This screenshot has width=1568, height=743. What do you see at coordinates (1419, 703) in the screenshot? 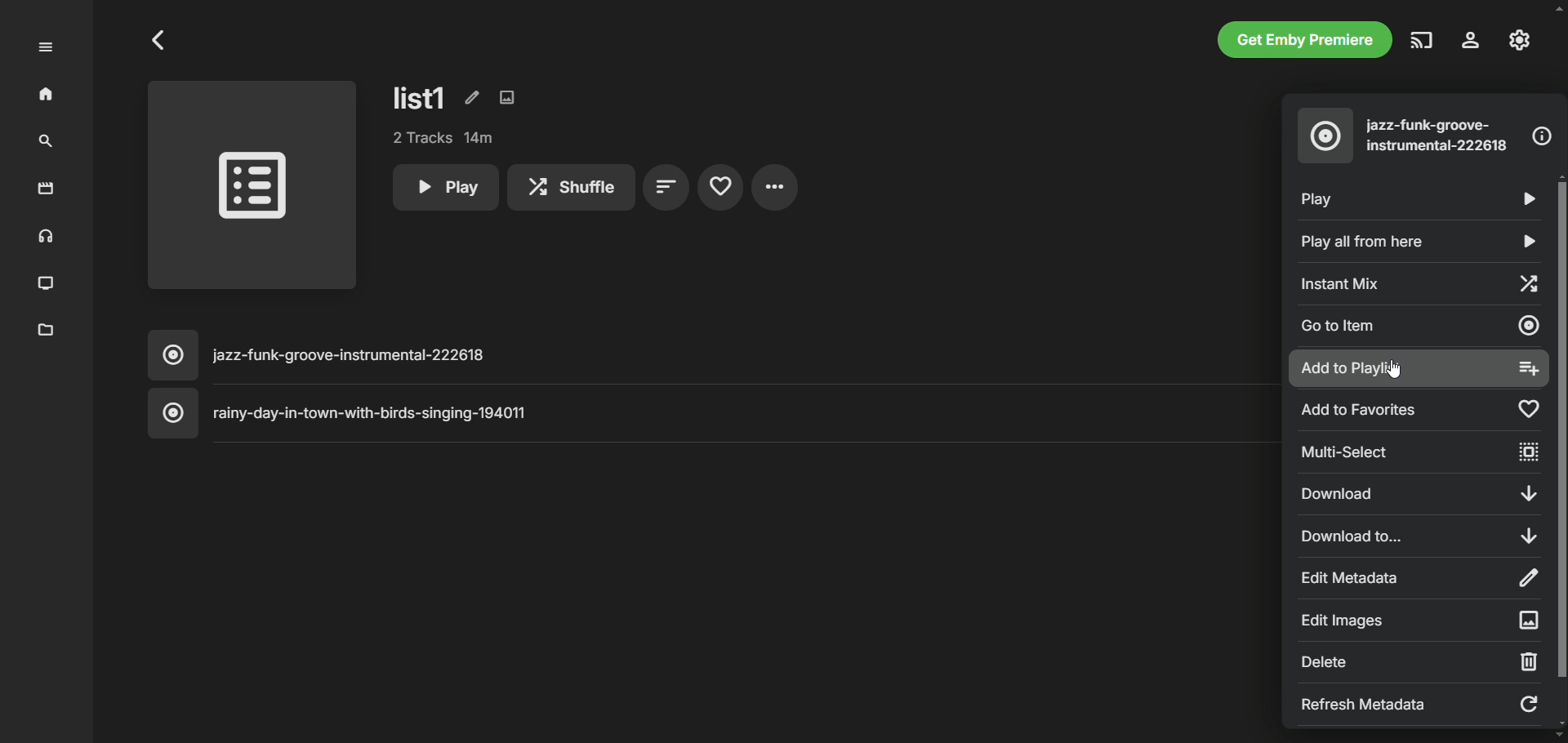
I see `refresh metadata` at bounding box center [1419, 703].